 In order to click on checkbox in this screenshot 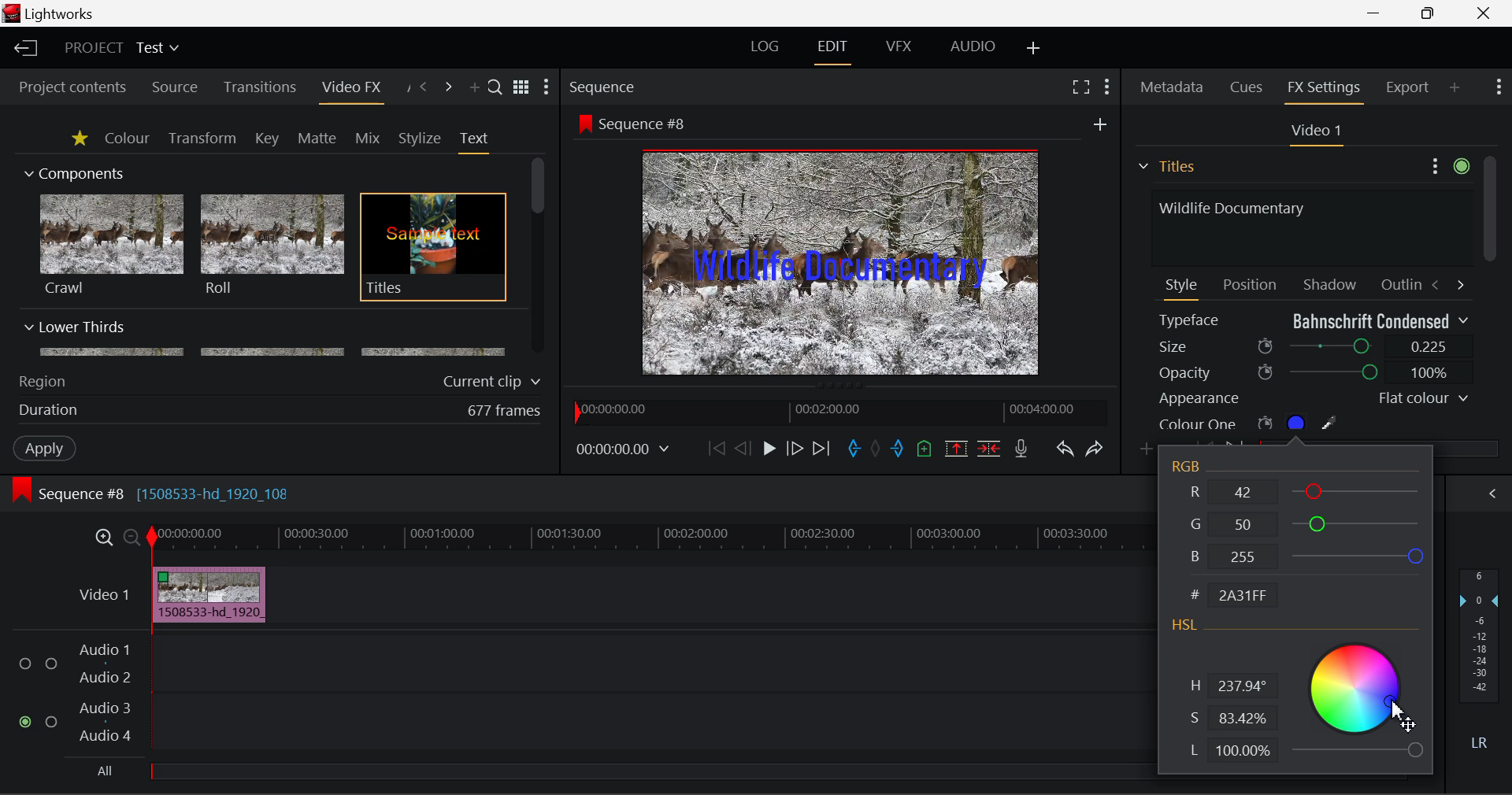, I will do `click(54, 723)`.